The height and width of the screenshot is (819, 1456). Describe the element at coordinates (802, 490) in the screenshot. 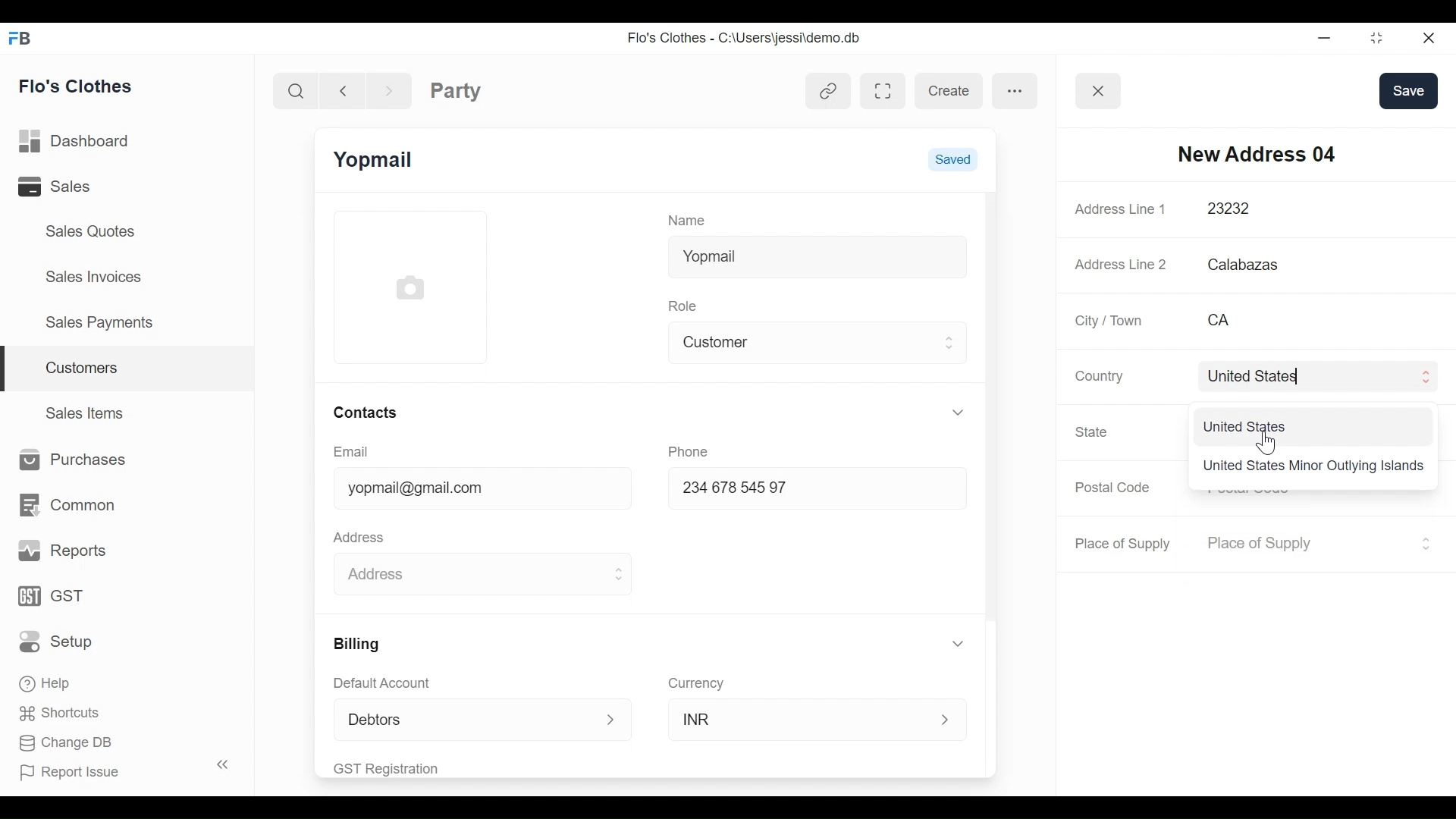

I see `234678 54597` at that location.